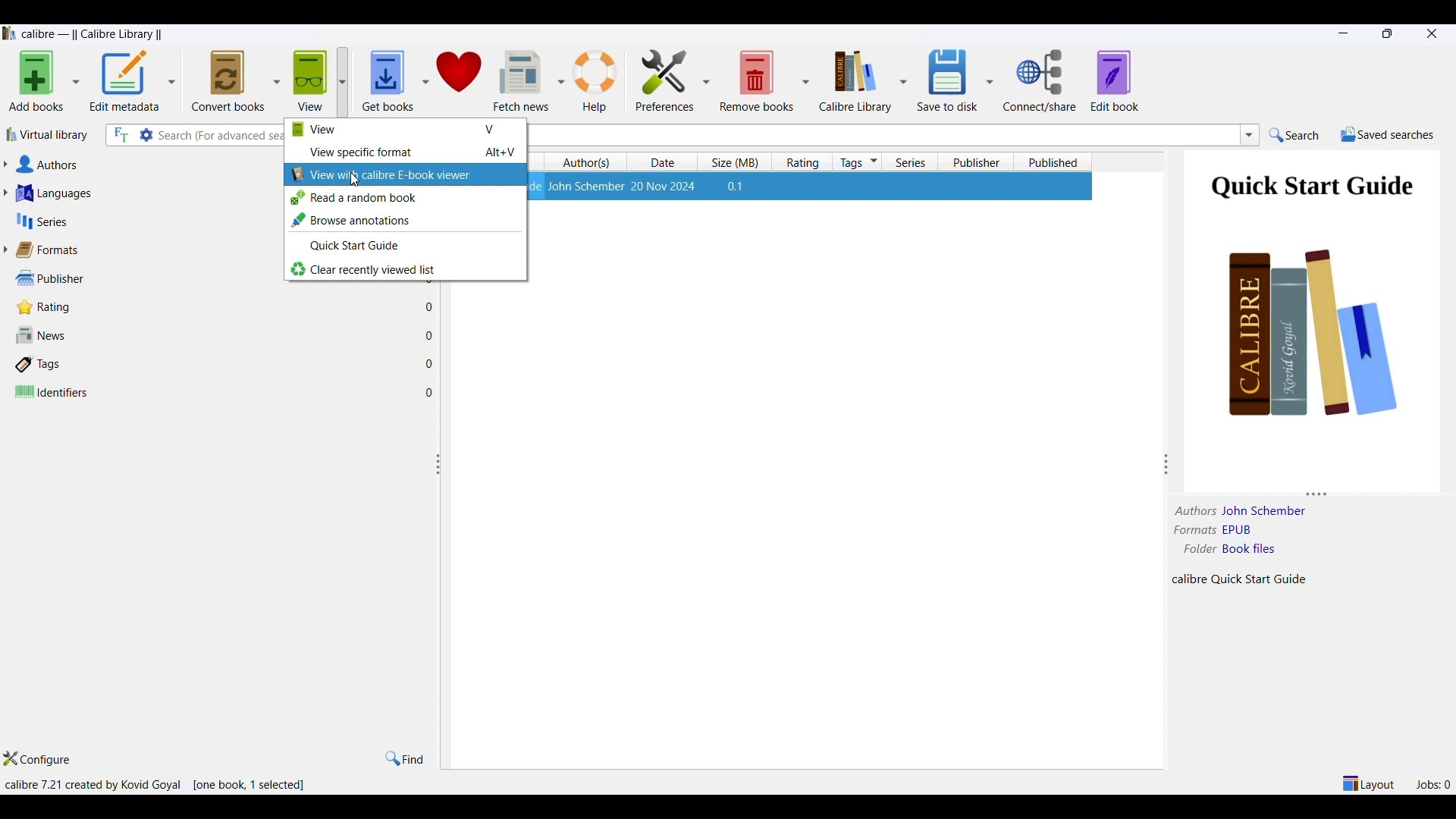 The image size is (1456, 819). I want to click on remove books options dropdown button, so click(808, 83).